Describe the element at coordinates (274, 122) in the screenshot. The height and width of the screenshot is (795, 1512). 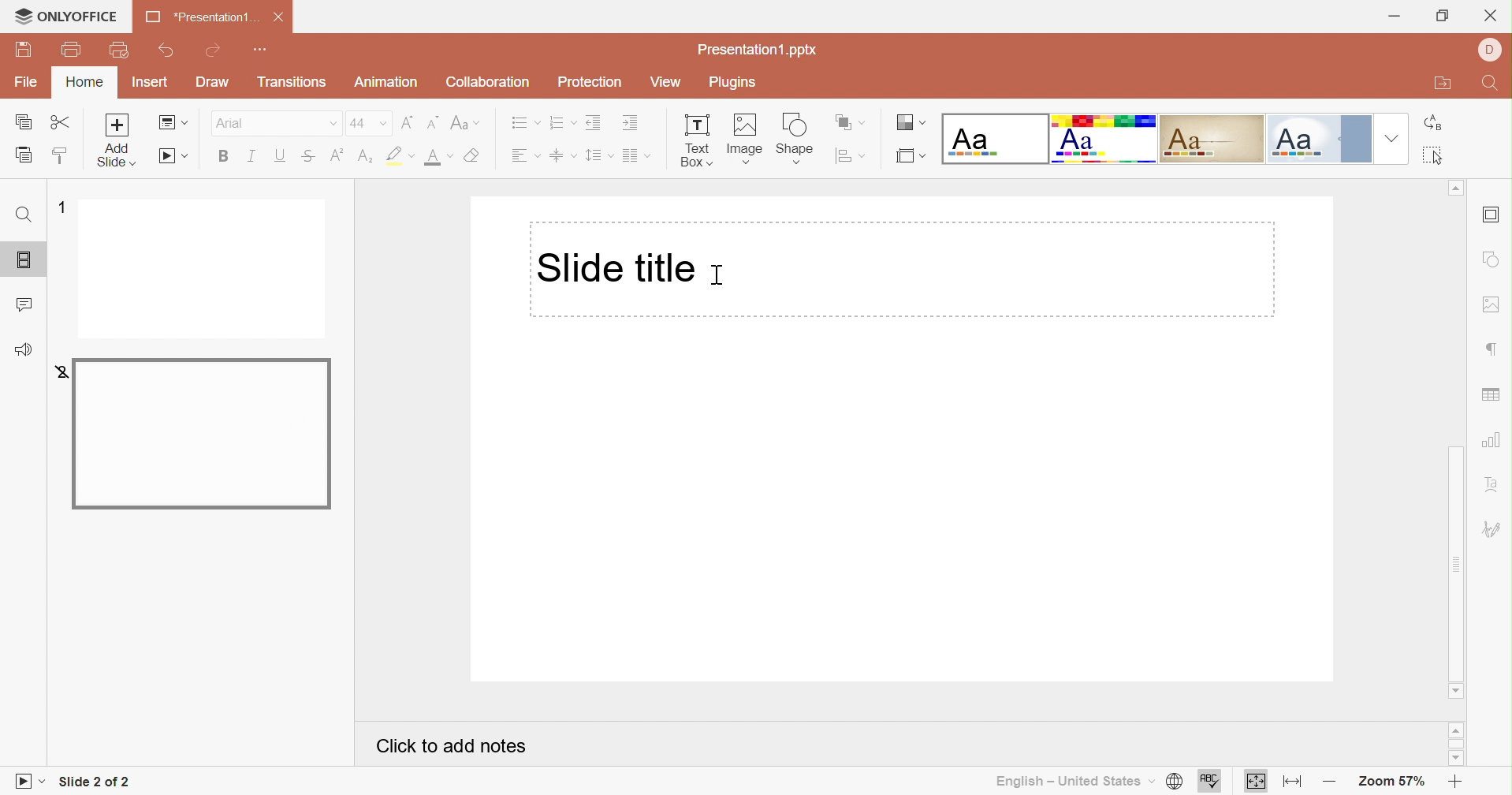
I see `Font` at that location.